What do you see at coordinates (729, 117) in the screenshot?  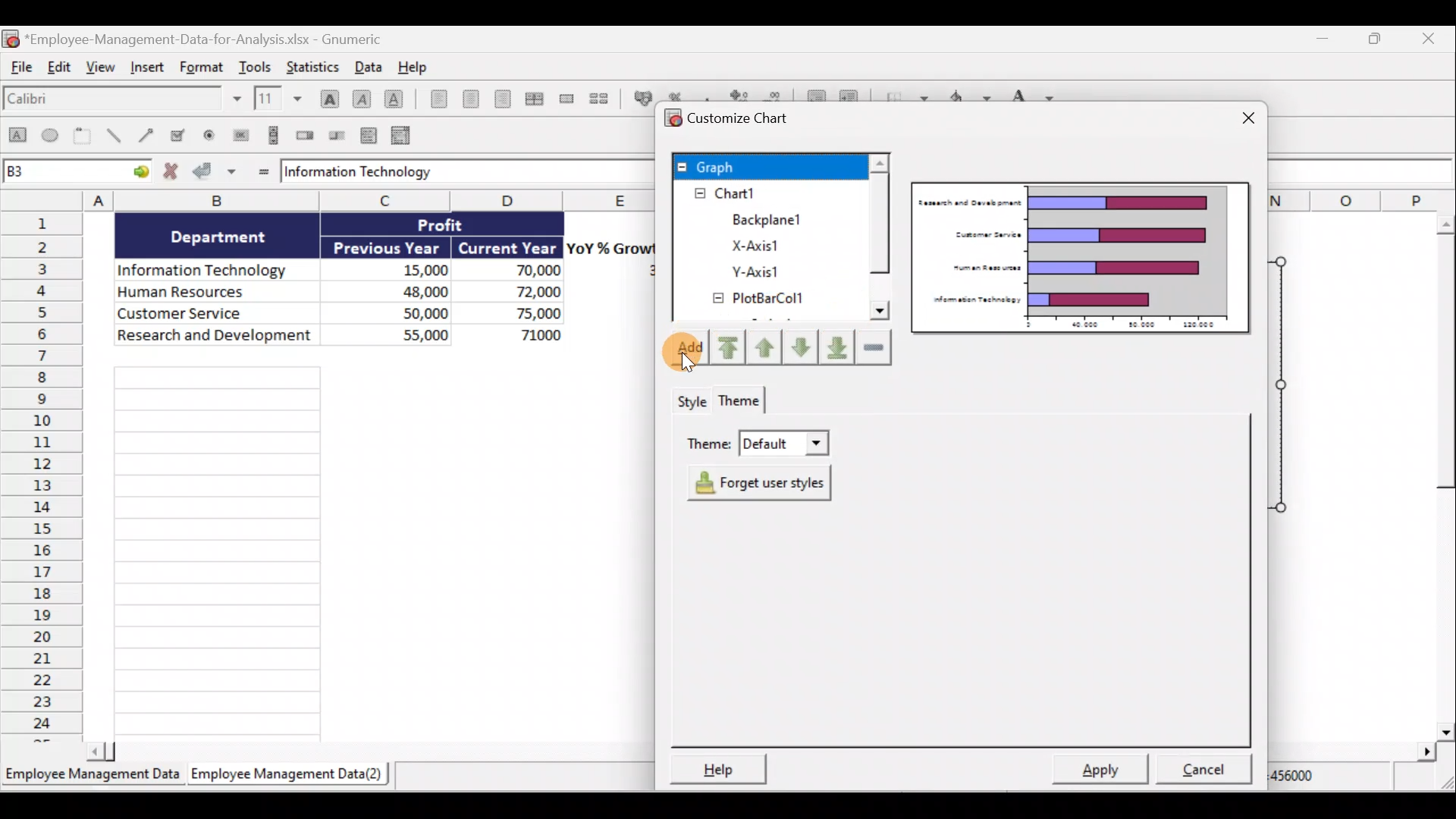 I see `Customize chart` at bounding box center [729, 117].